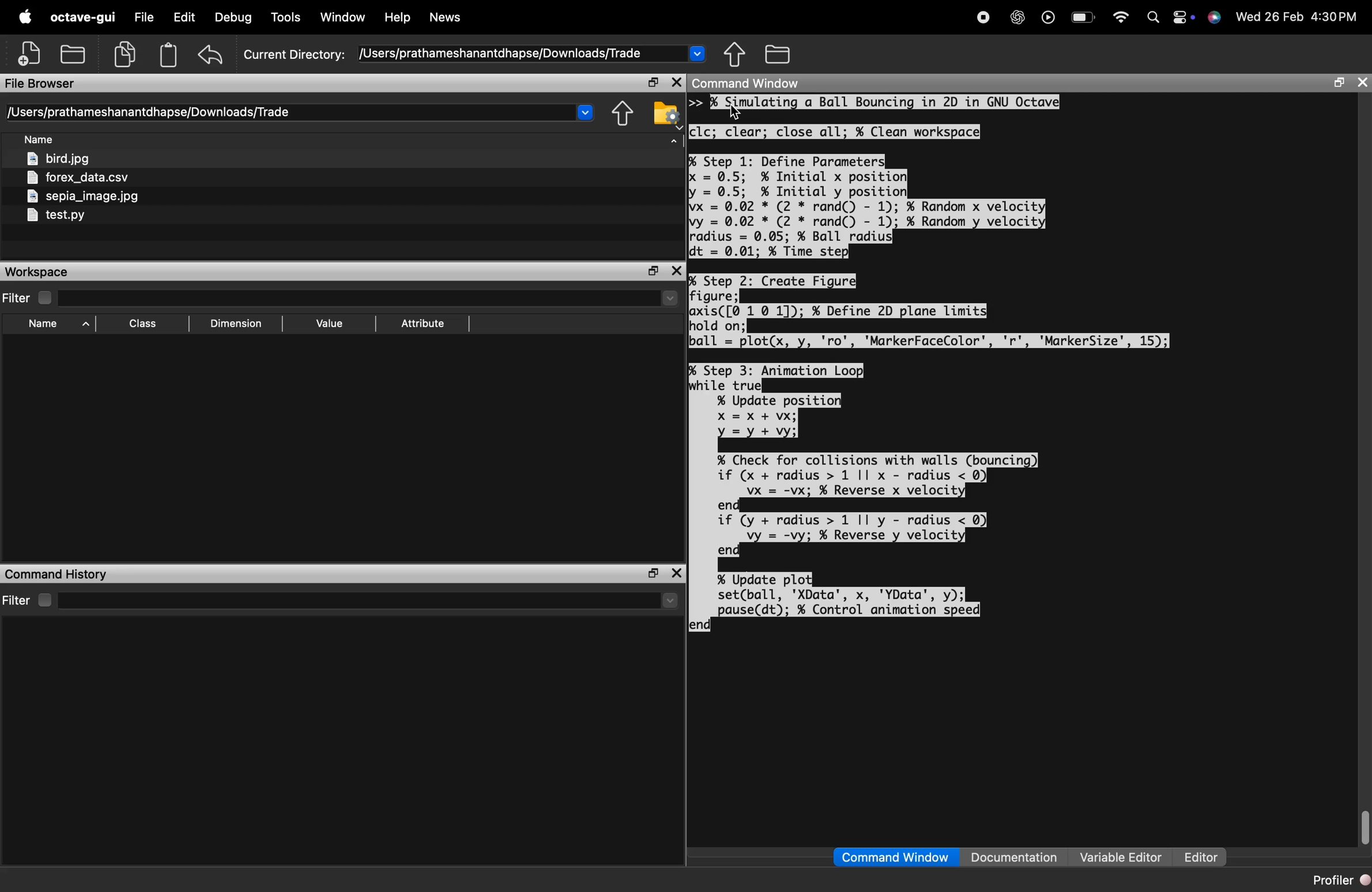 The width and height of the screenshot is (1372, 892). I want to click on help, so click(399, 18).